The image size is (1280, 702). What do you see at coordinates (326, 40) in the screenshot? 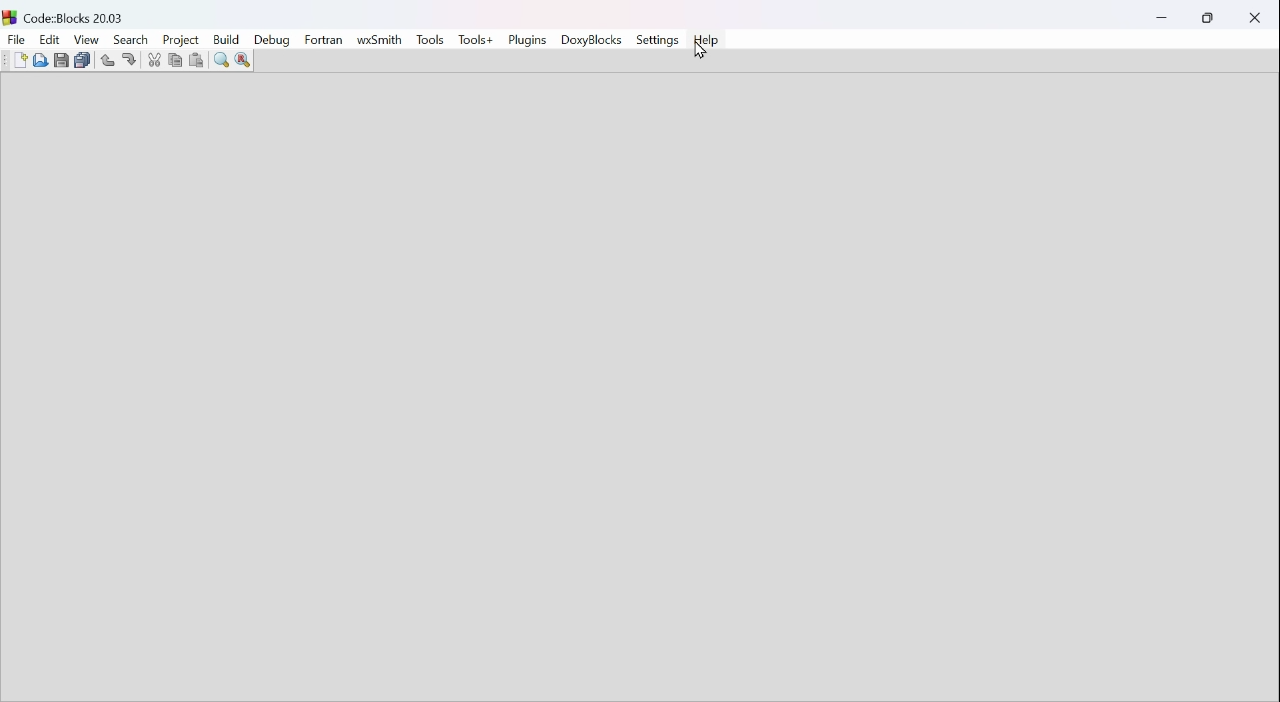
I see `Fortran` at bounding box center [326, 40].